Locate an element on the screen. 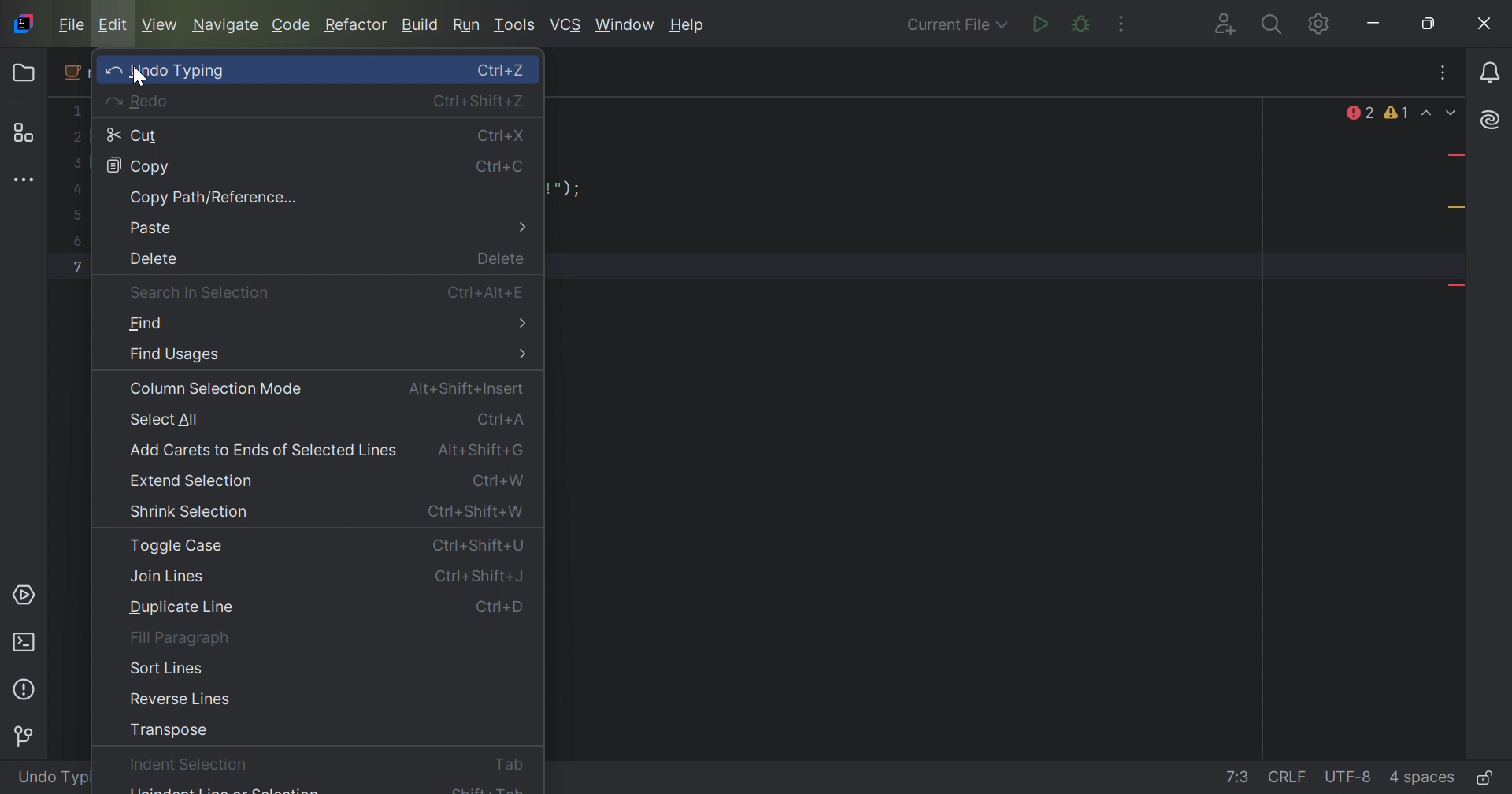 This screenshot has height=794, width=1512. 4 is located at coordinates (75, 196).